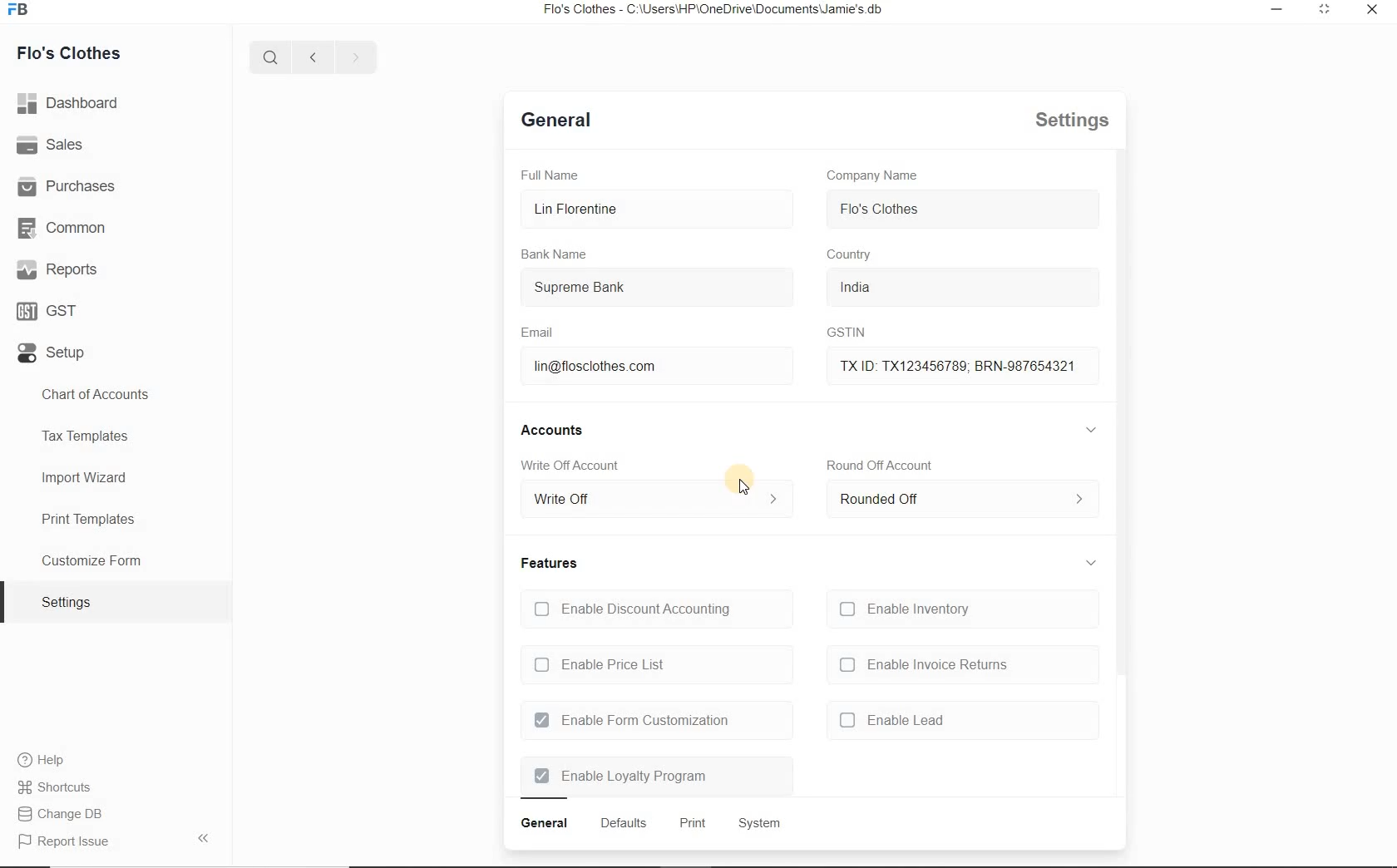  I want to click on Enable Form Customization, so click(631, 721).